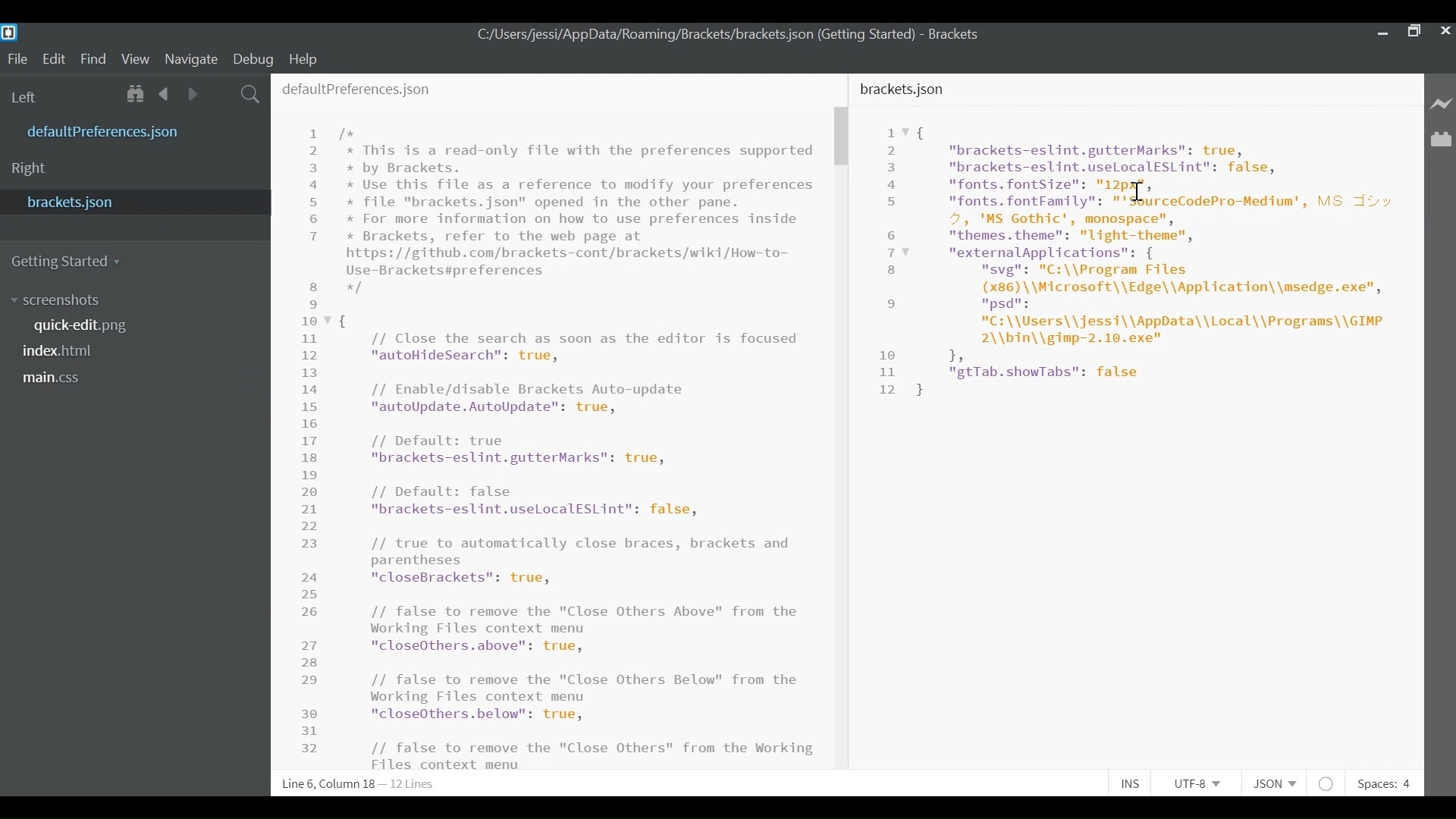  What do you see at coordinates (17, 60) in the screenshot?
I see `File` at bounding box center [17, 60].